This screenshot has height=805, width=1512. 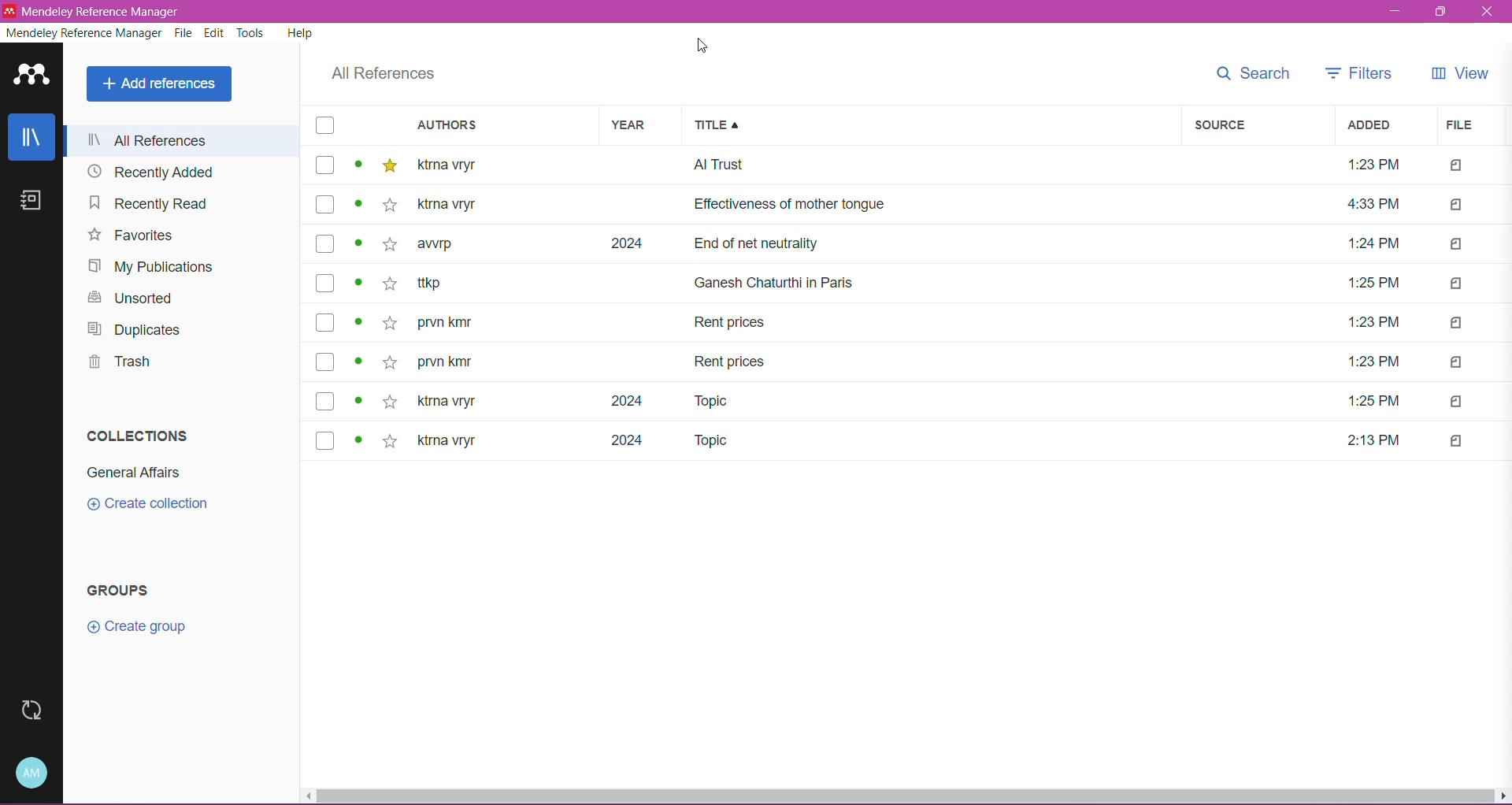 I want to click on Unsorted, so click(x=128, y=299).